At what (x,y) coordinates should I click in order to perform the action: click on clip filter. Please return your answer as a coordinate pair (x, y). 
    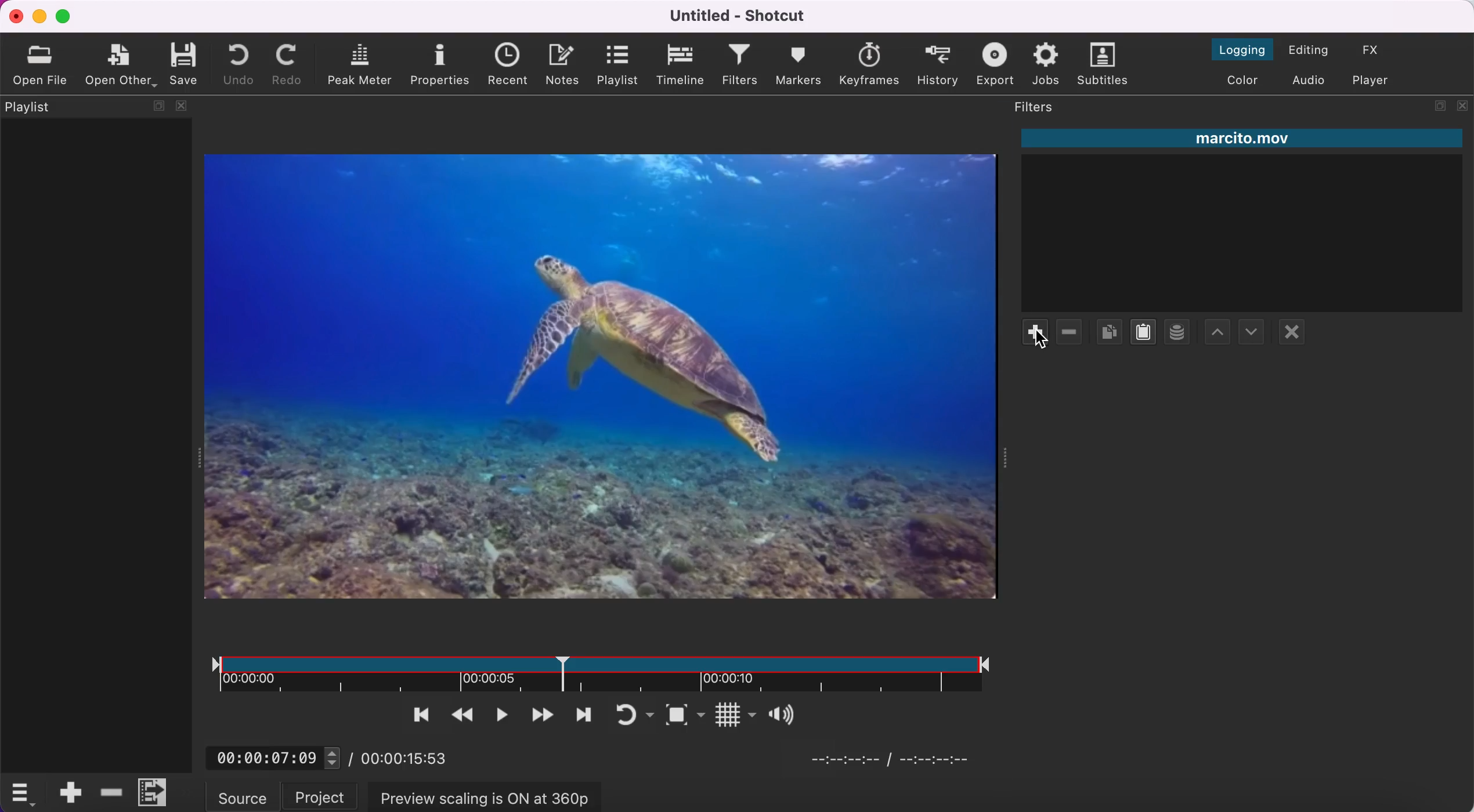
    Looking at the image, I should click on (1245, 229).